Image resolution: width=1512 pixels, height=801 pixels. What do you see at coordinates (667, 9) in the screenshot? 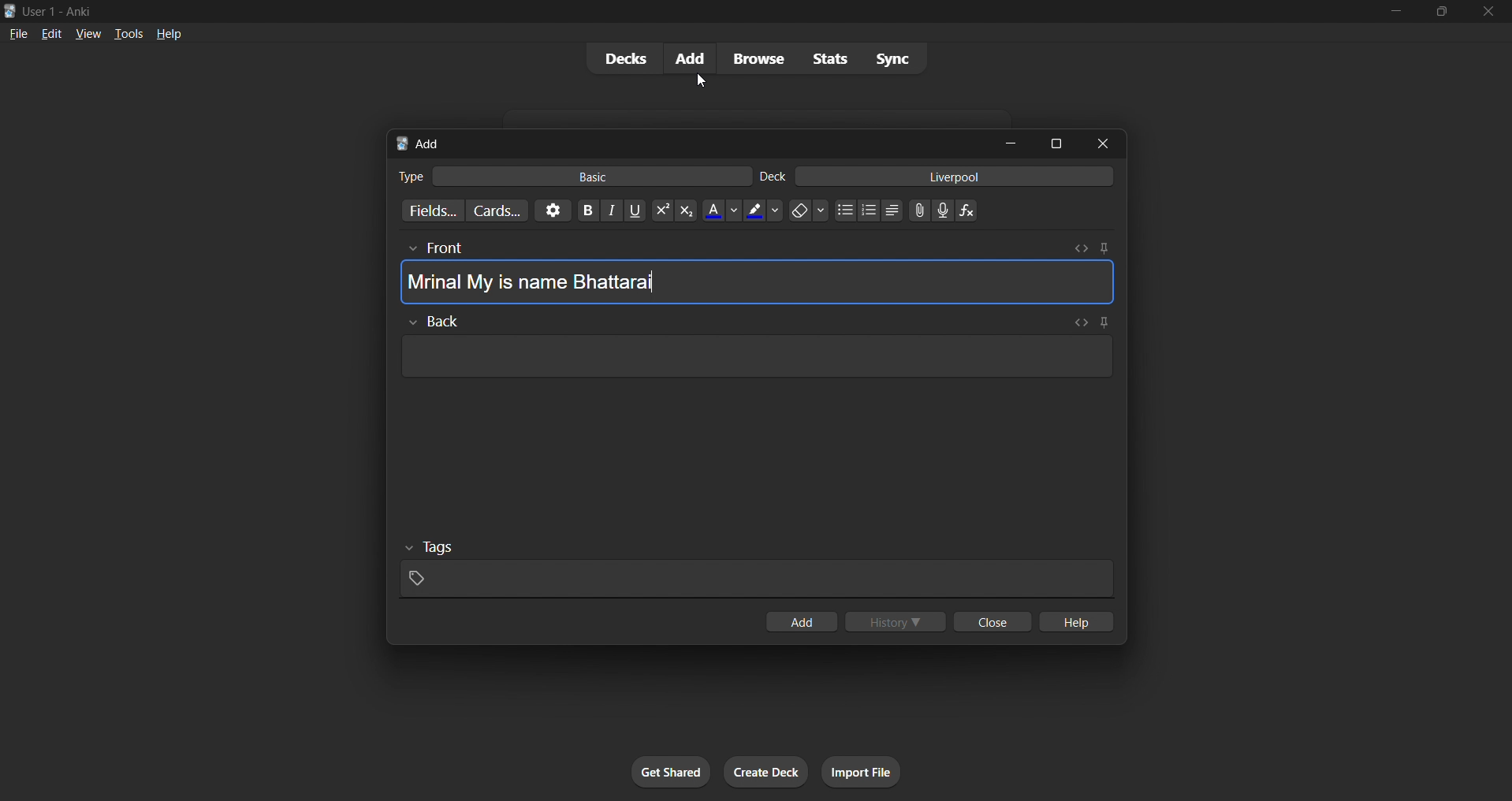
I see `title bar` at bounding box center [667, 9].